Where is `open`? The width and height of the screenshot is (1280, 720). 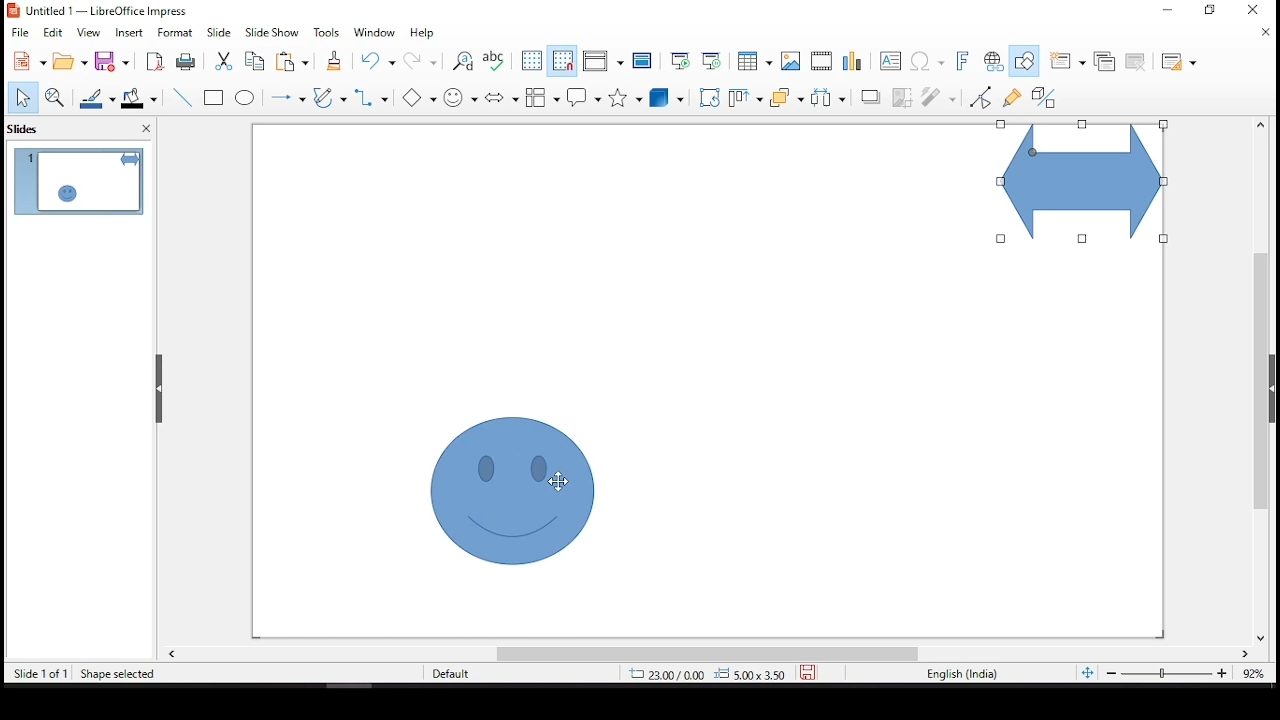 open is located at coordinates (70, 61).